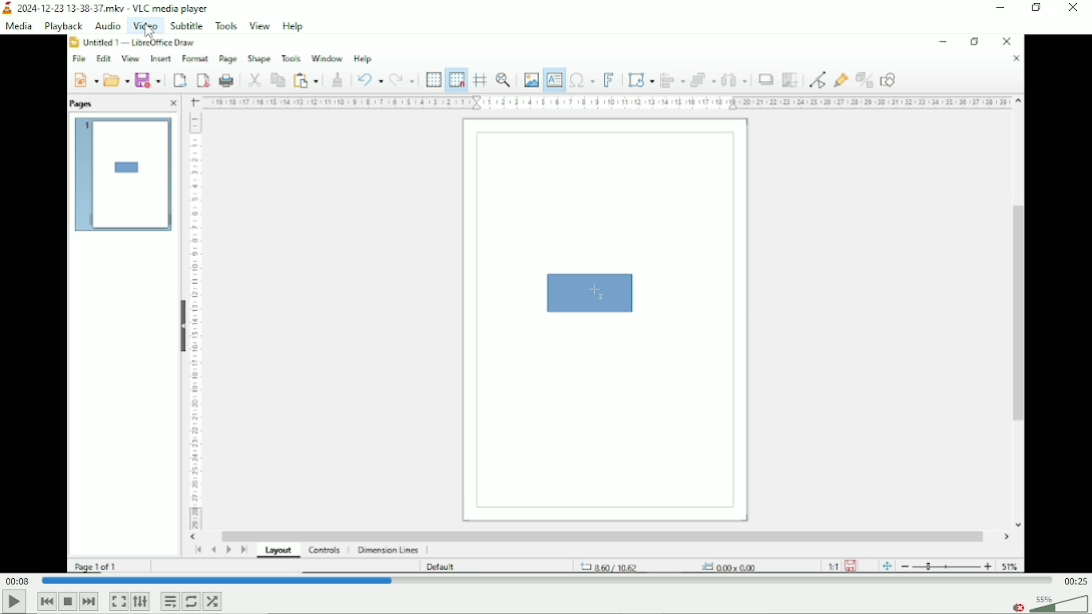 The height and width of the screenshot is (614, 1092). I want to click on Volume, so click(1060, 604).